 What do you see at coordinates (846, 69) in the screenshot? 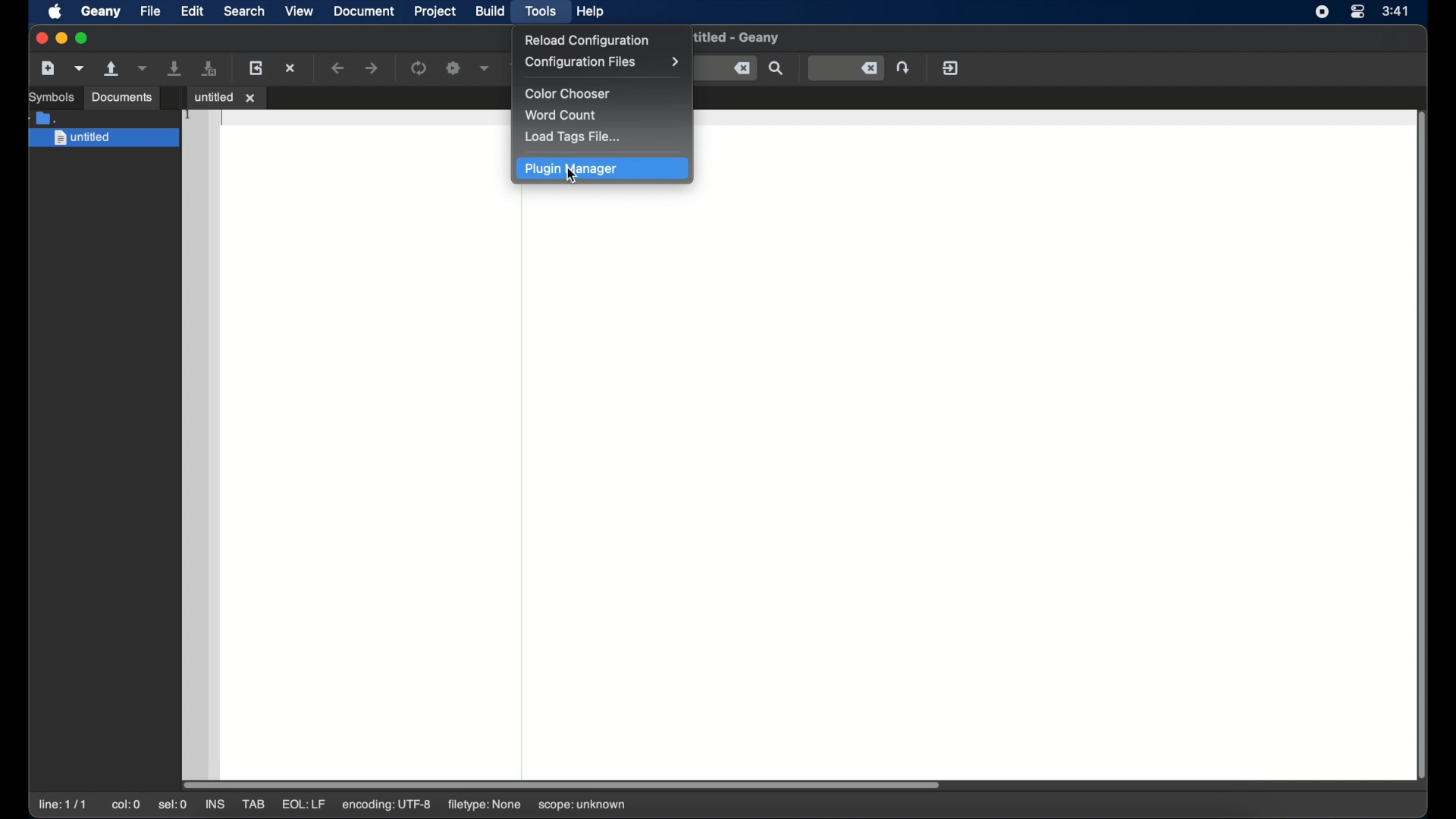
I see `jump to entered line number` at bounding box center [846, 69].